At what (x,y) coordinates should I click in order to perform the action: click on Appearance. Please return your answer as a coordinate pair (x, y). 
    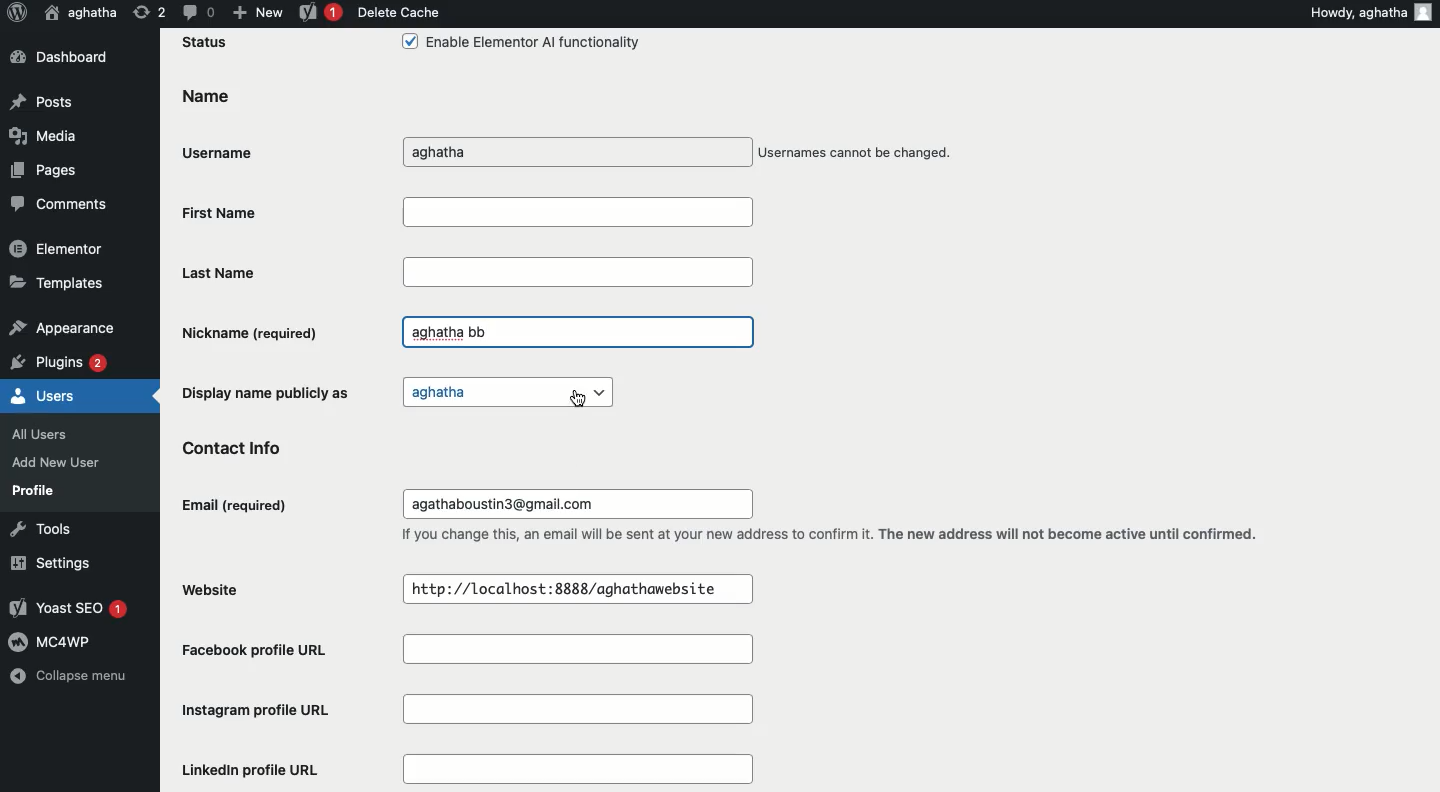
    Looking at the image, I should click on (61, 325).